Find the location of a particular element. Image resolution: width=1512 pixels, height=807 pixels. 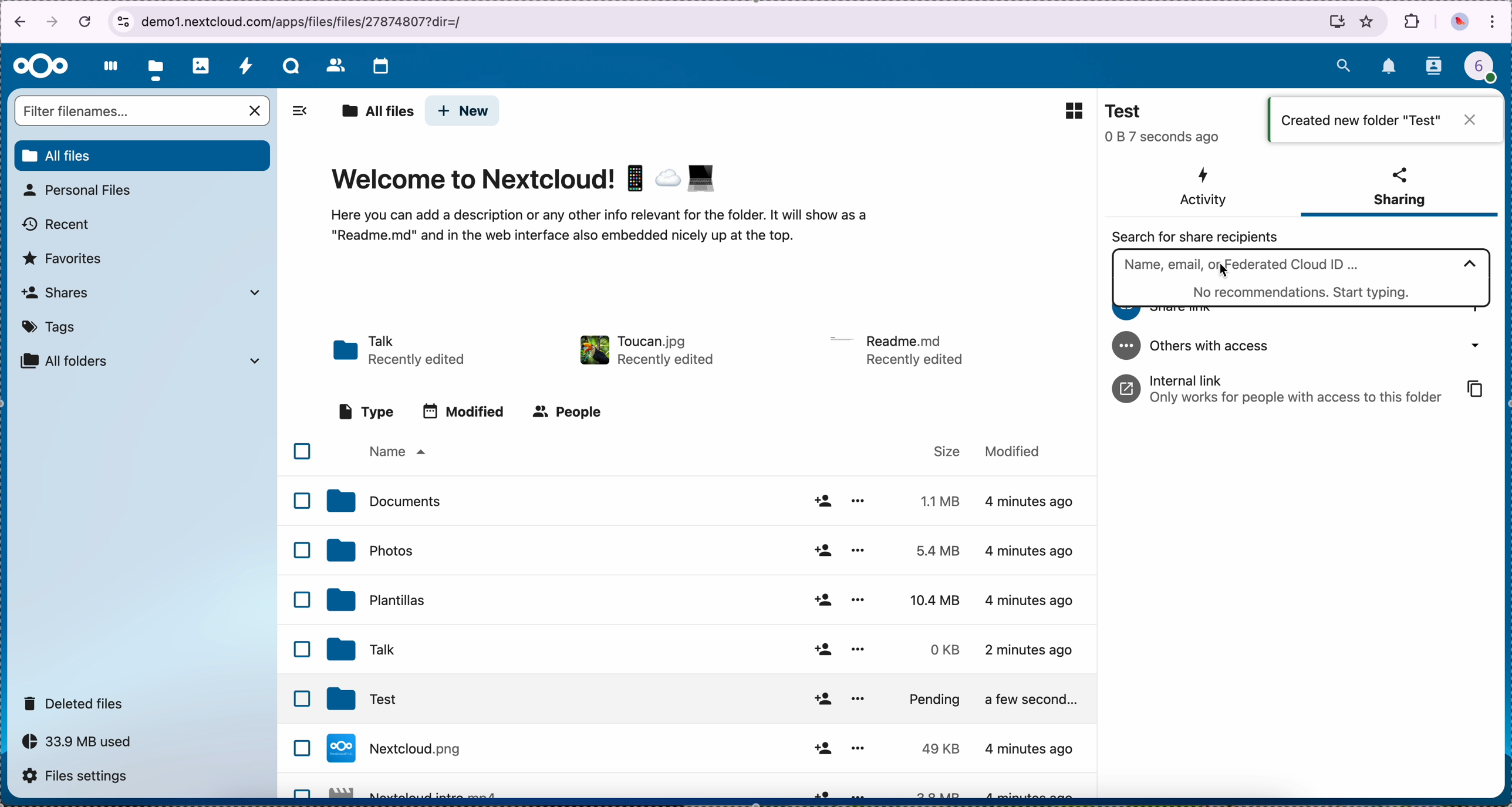

others with access is located at coordinates (1297, 346).